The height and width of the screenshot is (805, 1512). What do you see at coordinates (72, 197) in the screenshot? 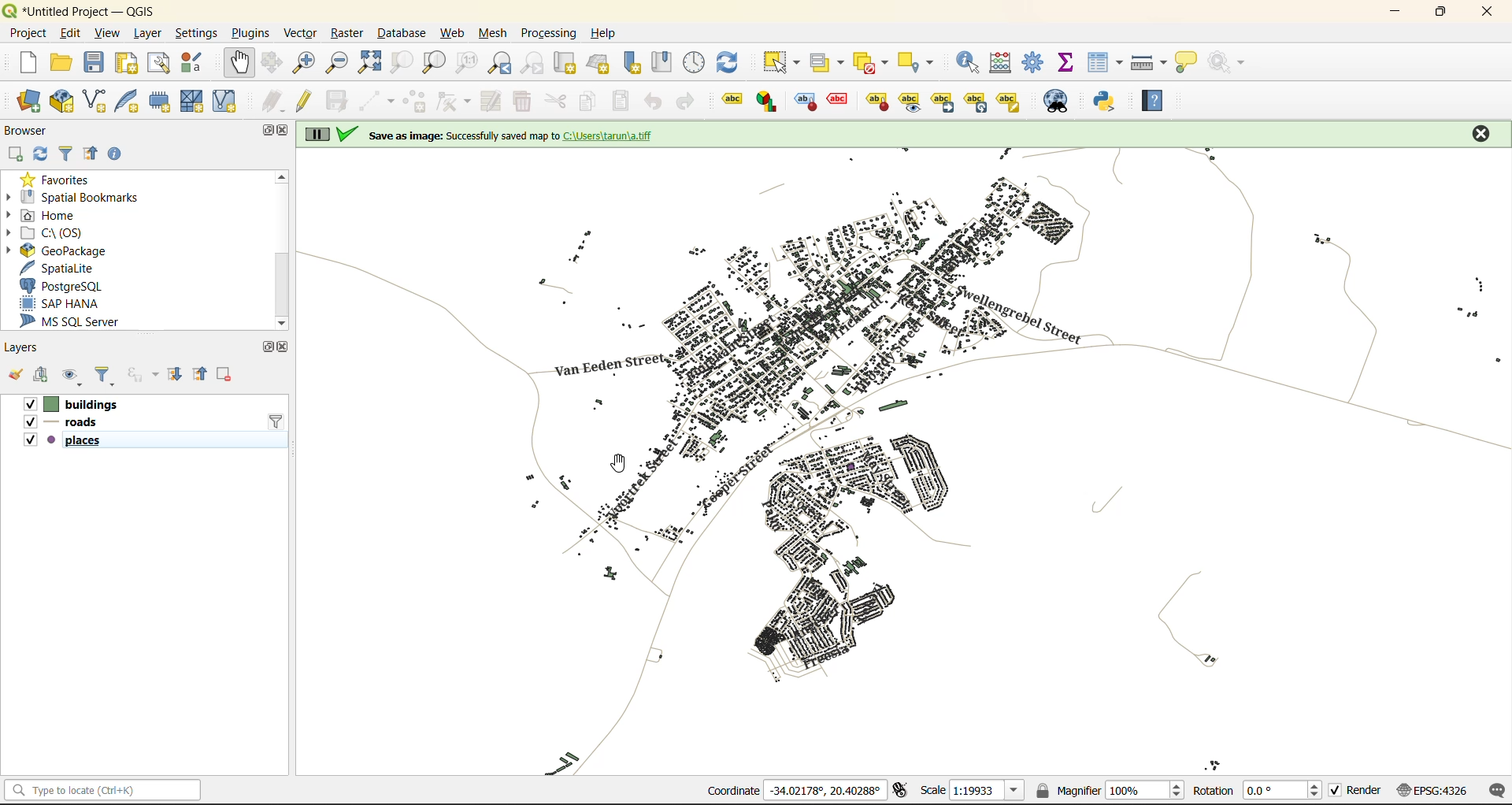
I see `spatial bookmarks` at bounding box center [72, 197].